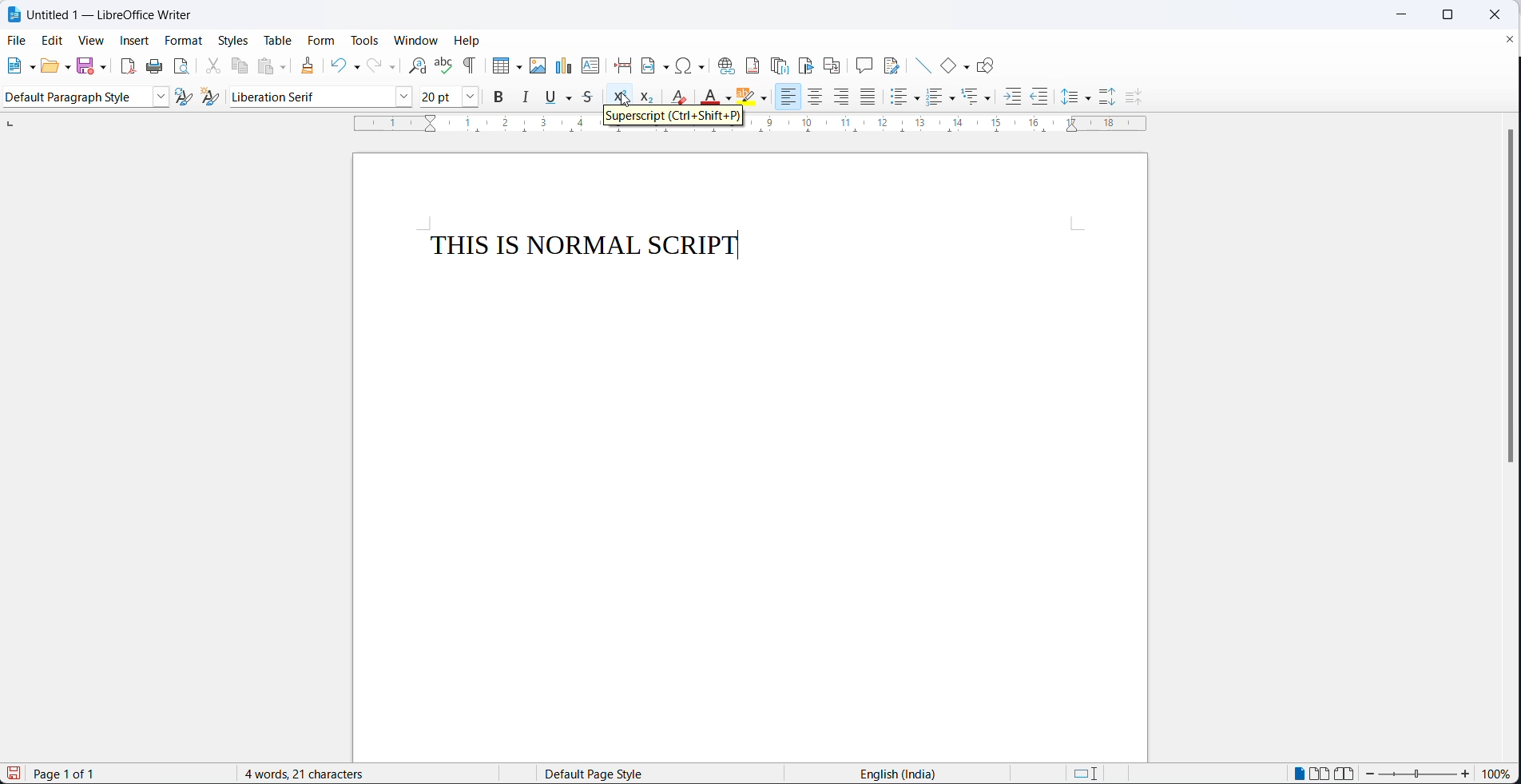 The image size is (1521, 784). Describe the element at coordinates (978, 97) in the screenshot. I see `select outline format` at that location.